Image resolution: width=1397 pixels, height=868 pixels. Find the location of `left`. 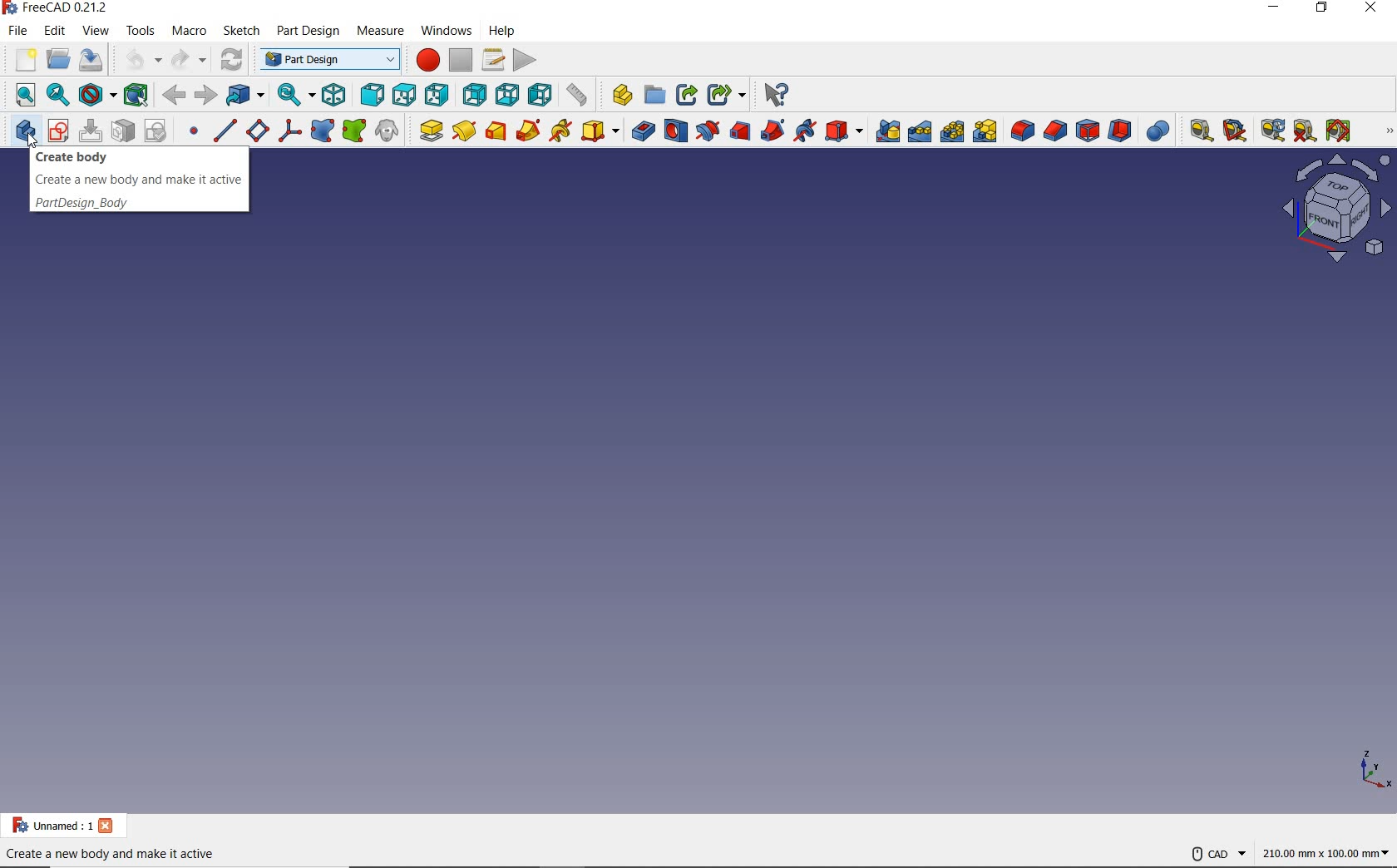

left is located at coordinates (540, 92).